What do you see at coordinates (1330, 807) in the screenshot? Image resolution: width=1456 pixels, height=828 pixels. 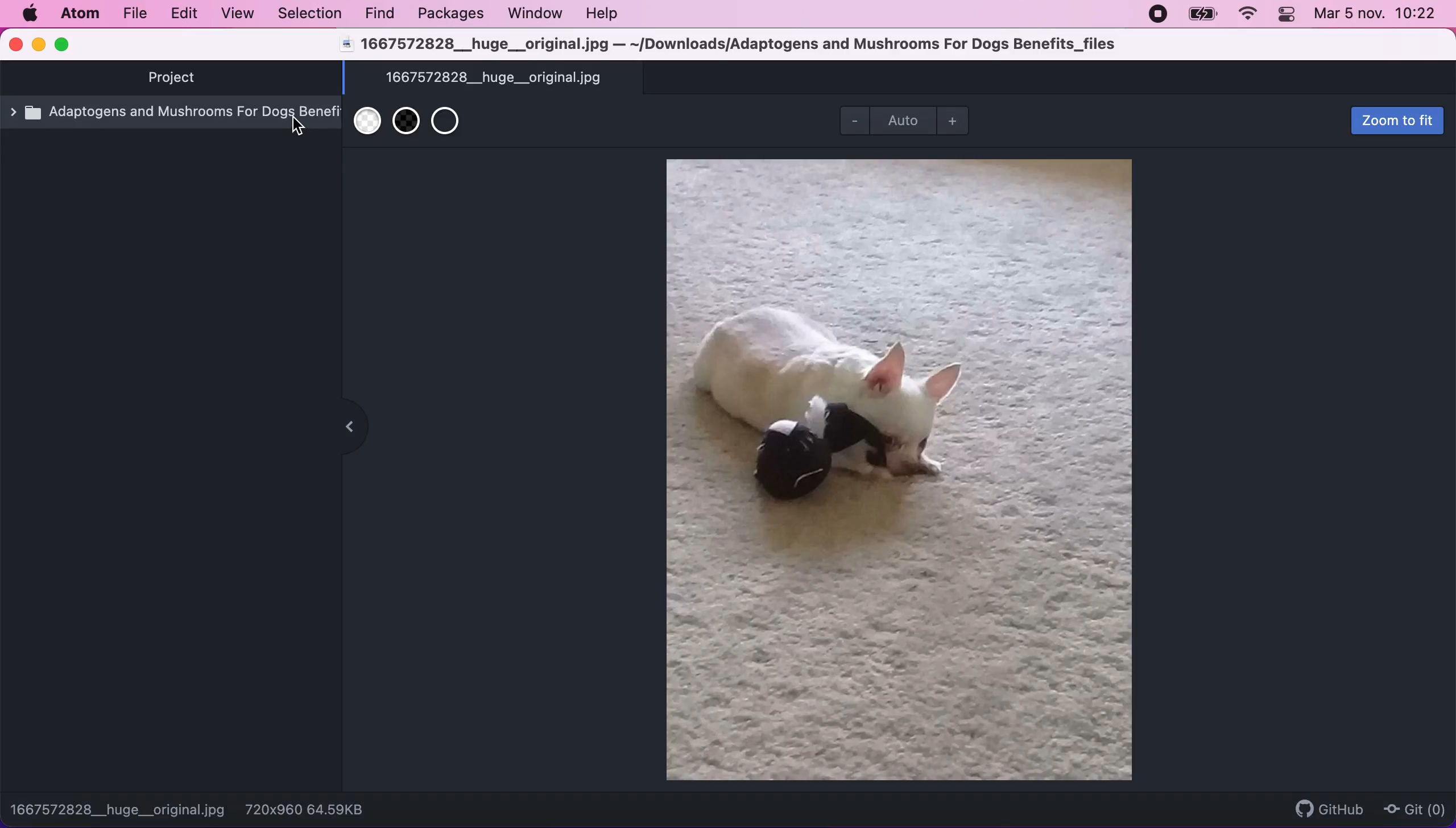 I see `github` at bounding box center [1330, 807].